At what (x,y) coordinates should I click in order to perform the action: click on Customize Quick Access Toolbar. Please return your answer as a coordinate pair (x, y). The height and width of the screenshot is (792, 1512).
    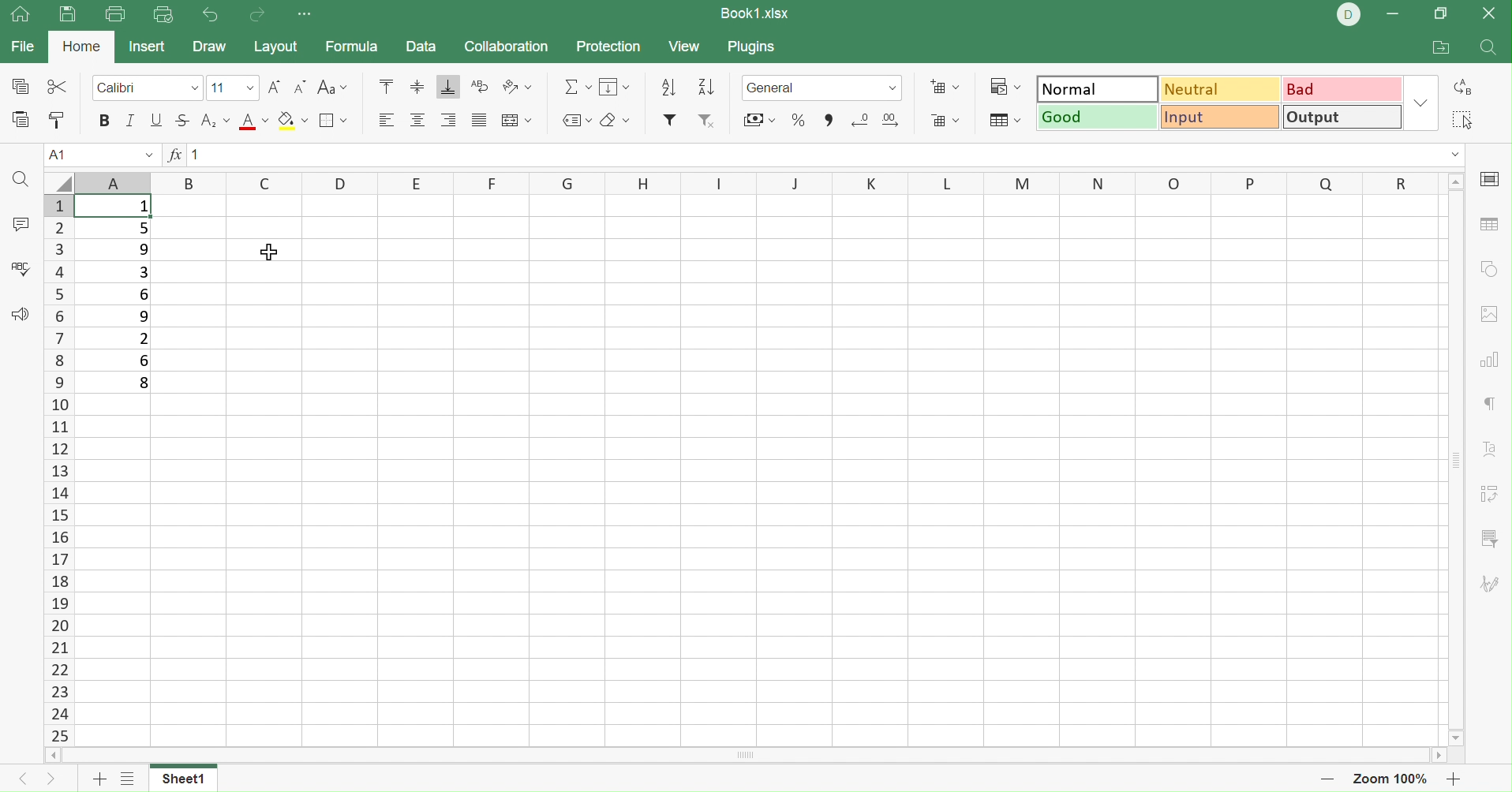
    Looking at the image, I should click on (306, 16).